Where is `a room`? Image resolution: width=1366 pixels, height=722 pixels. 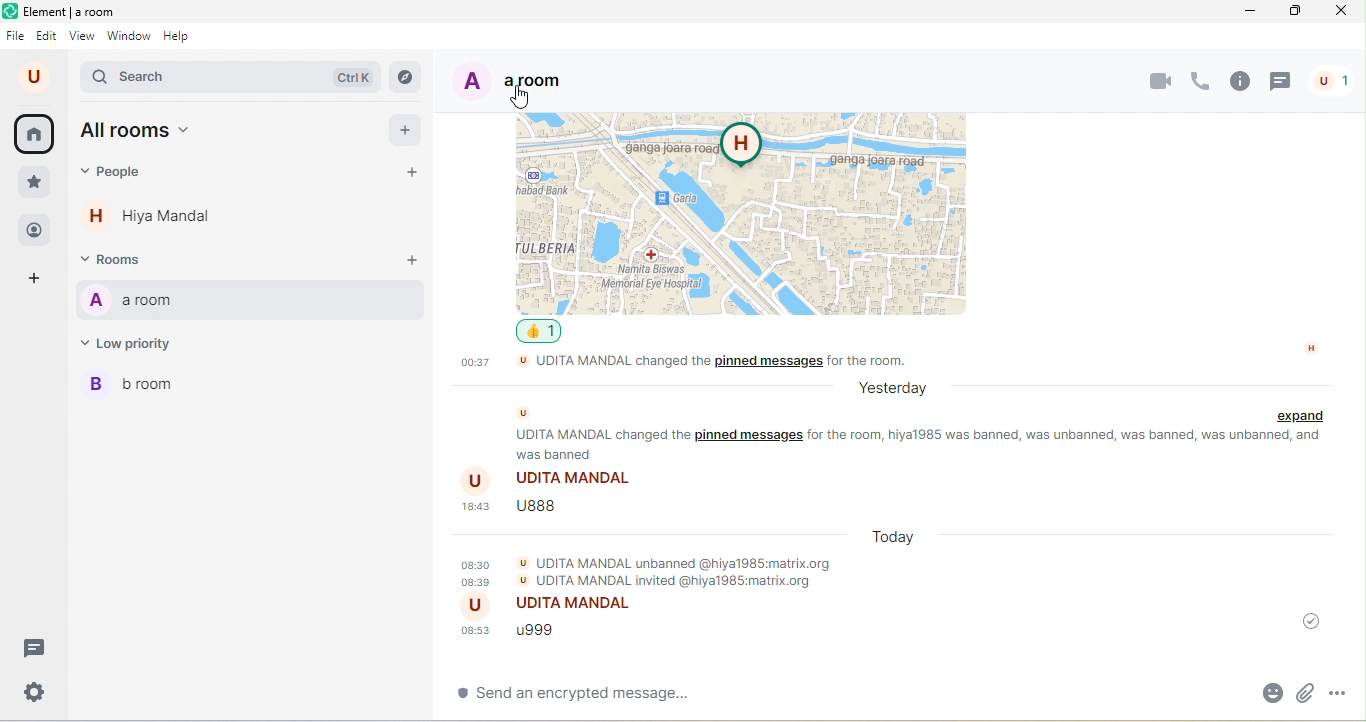
a room is located at coordinates (508, 85).